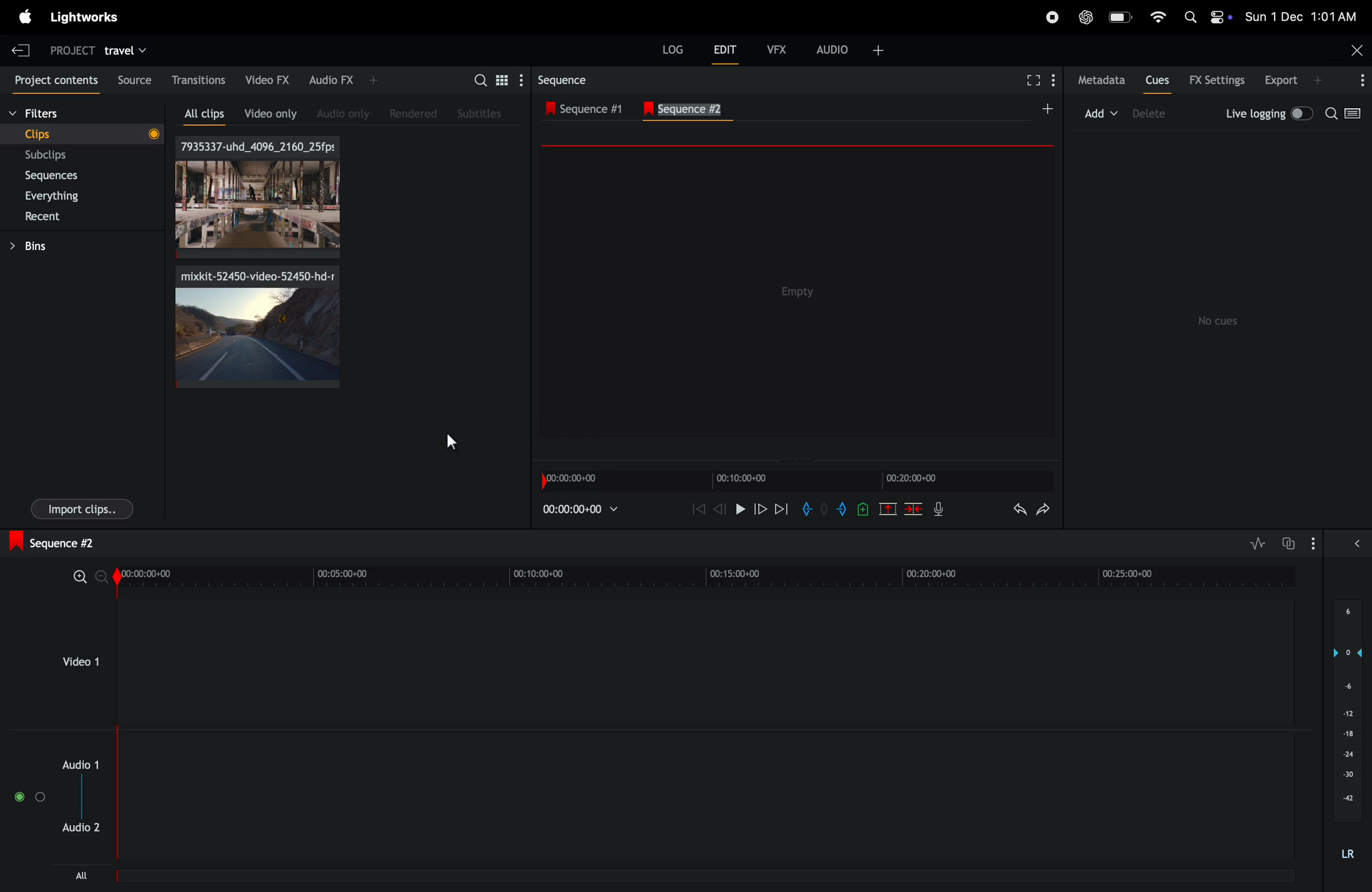 This screenshot has height=892, width=1372. What do you see at coordinates (413, 113) in the screenshot?
I see `rendered` at bounding box center [413, 113].